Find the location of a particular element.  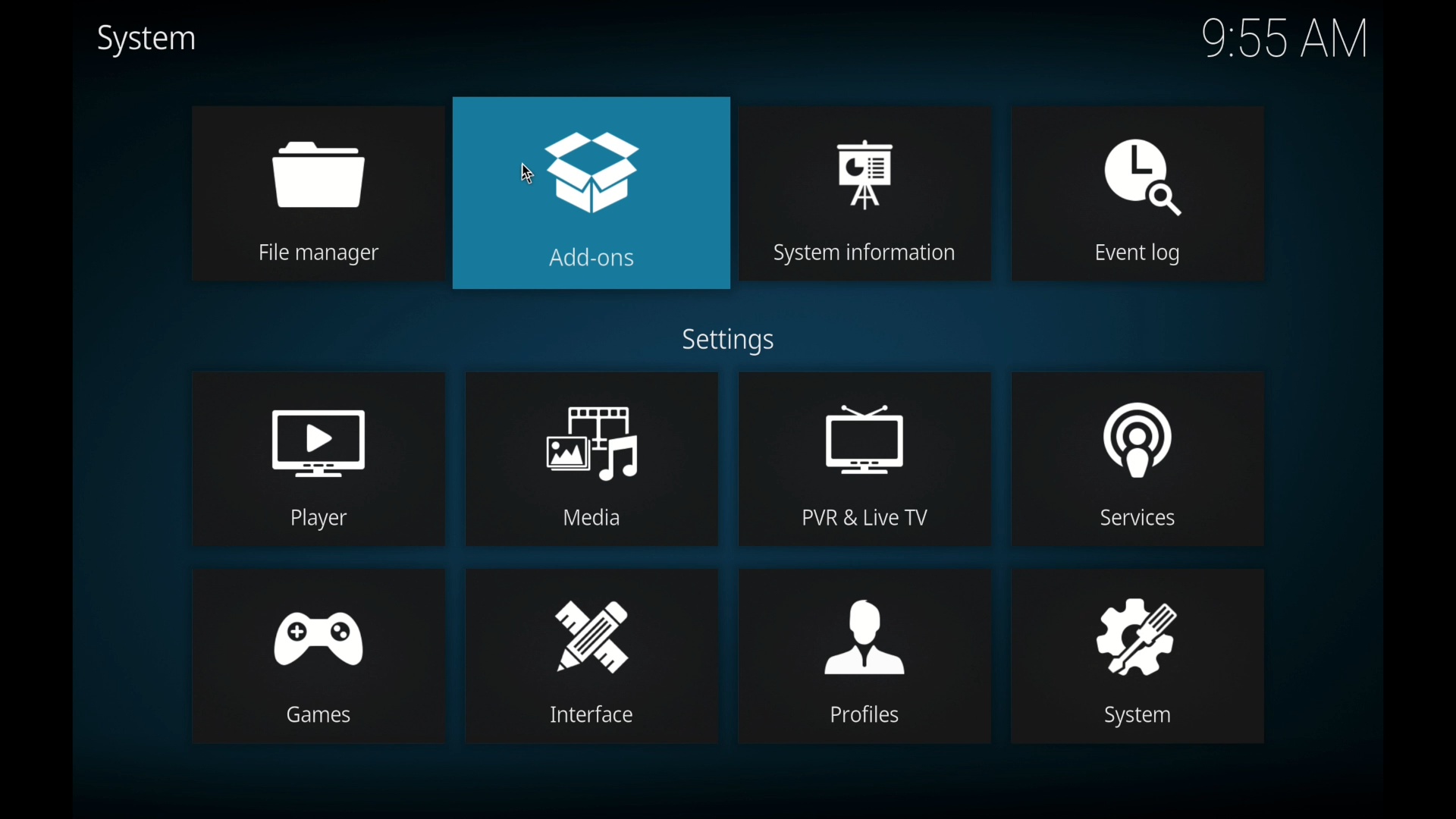

file manager is located at coordinates (314, 194).